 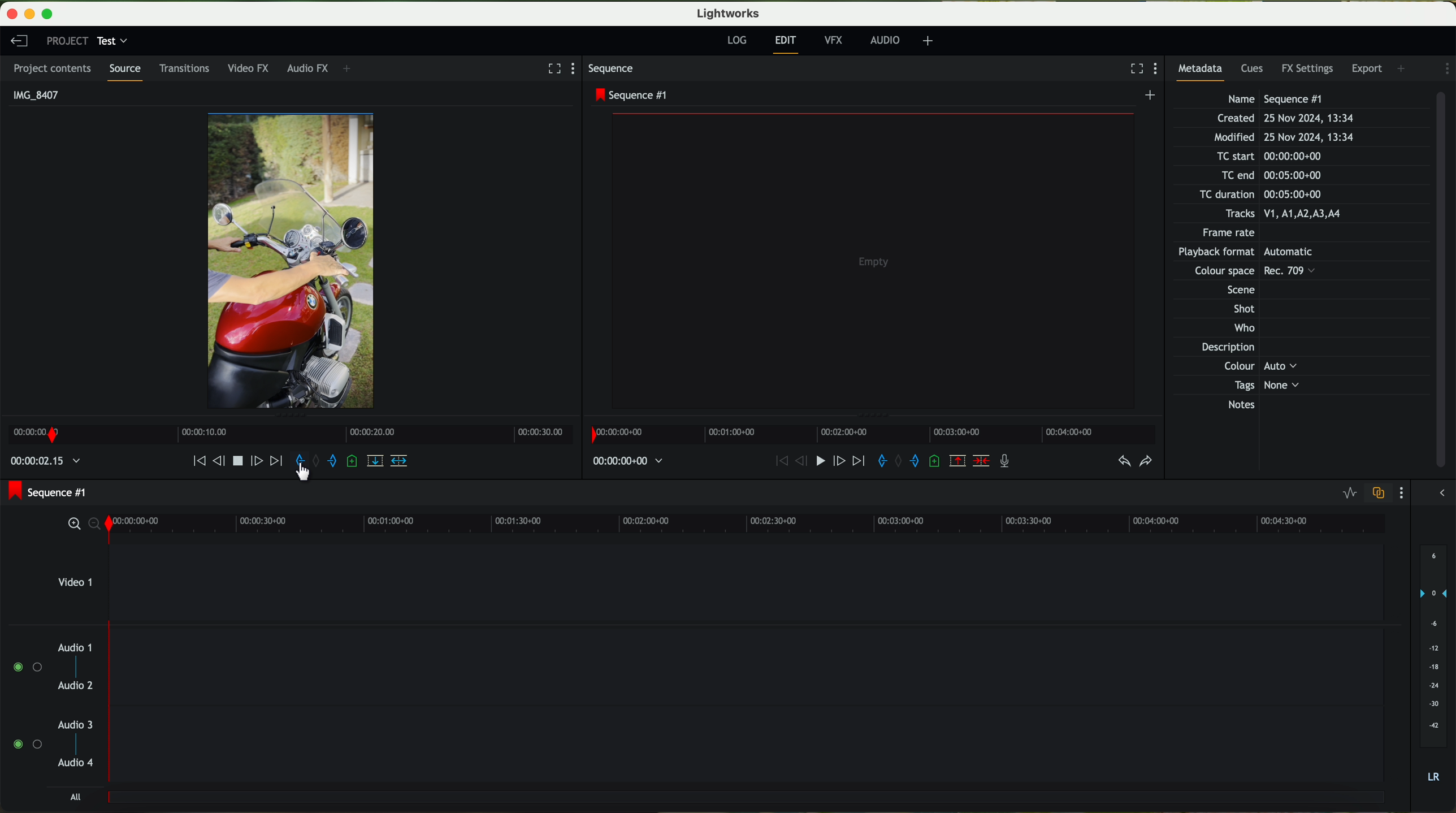 What do you see at coordinates (1236, 288) in the screenshot?
I see `` at bounding box center [1236, 288].